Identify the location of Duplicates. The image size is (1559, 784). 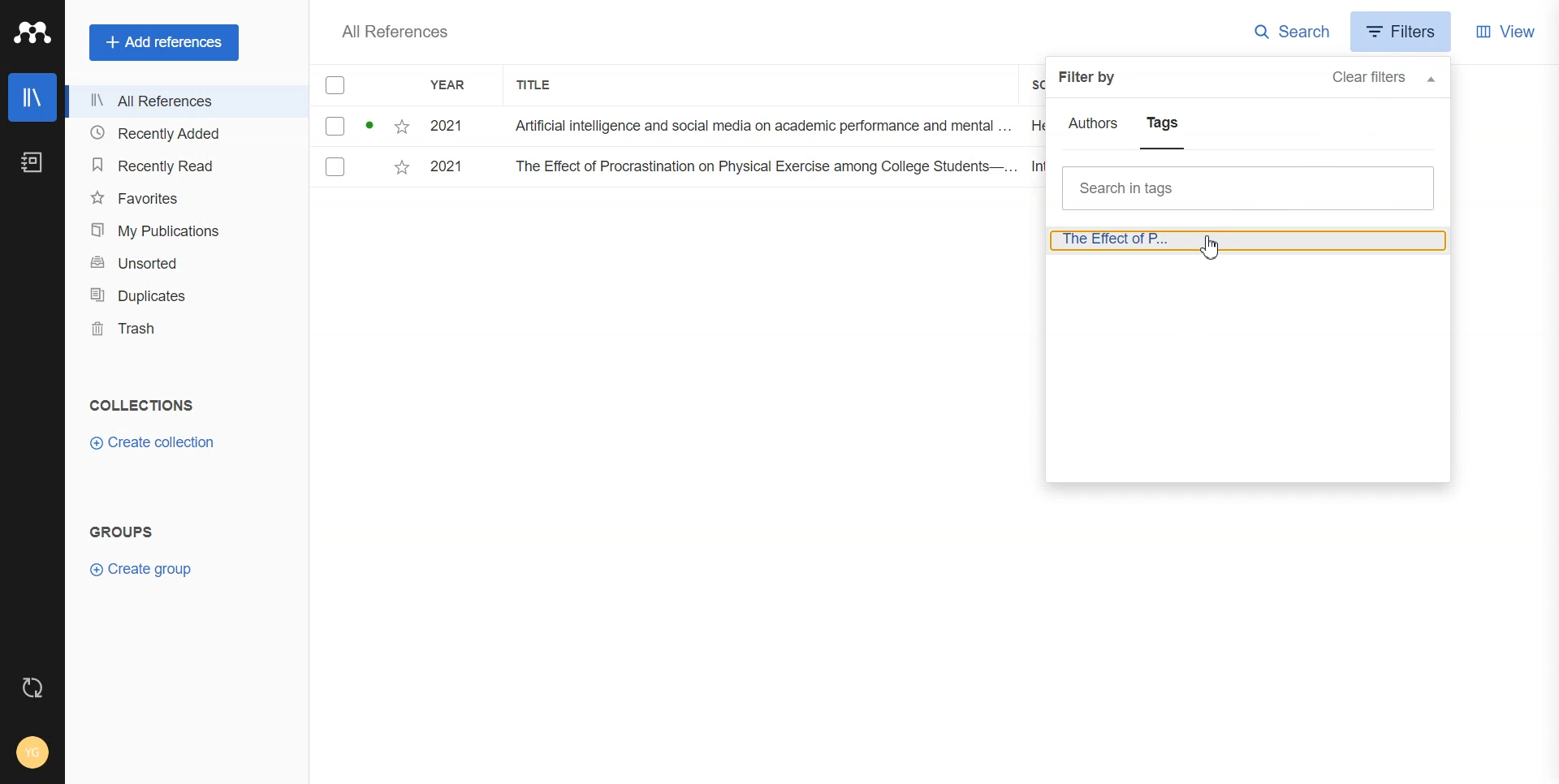
(175, 295).